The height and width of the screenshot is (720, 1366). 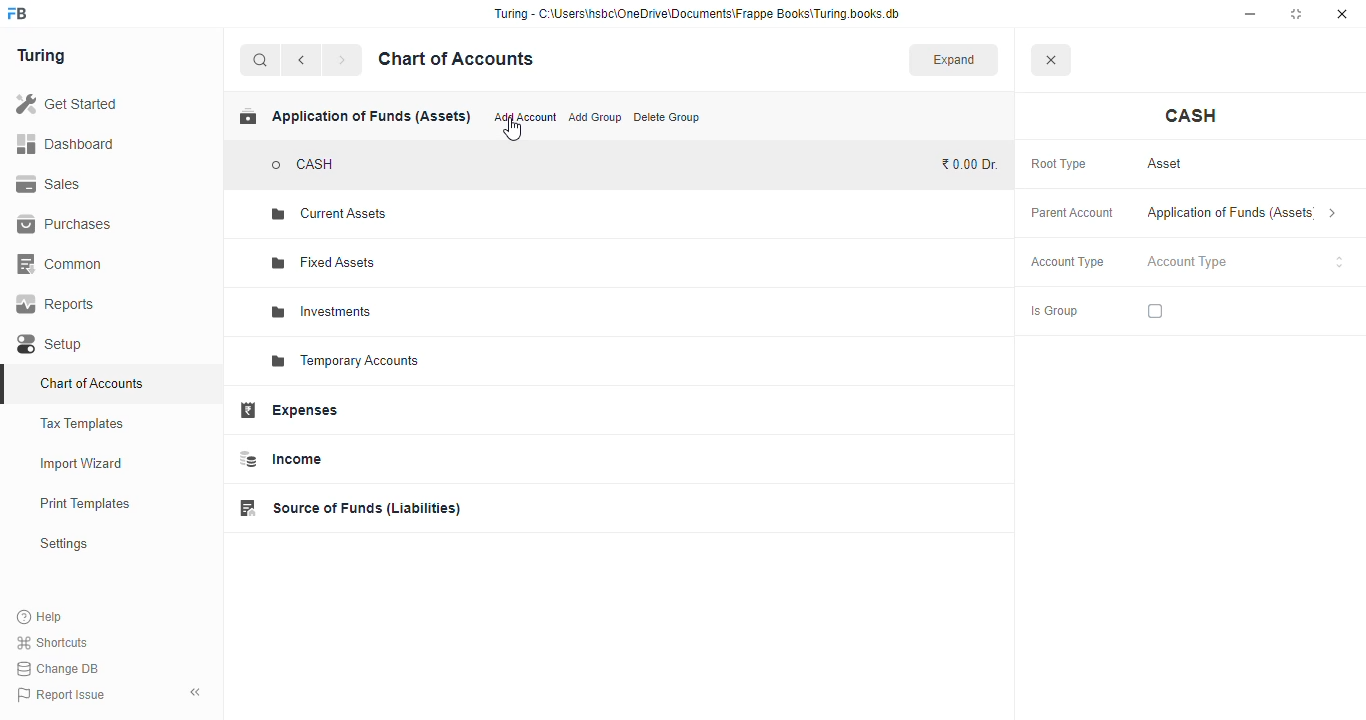 I want to click on chart of accounts, so click(x=92, y=383).